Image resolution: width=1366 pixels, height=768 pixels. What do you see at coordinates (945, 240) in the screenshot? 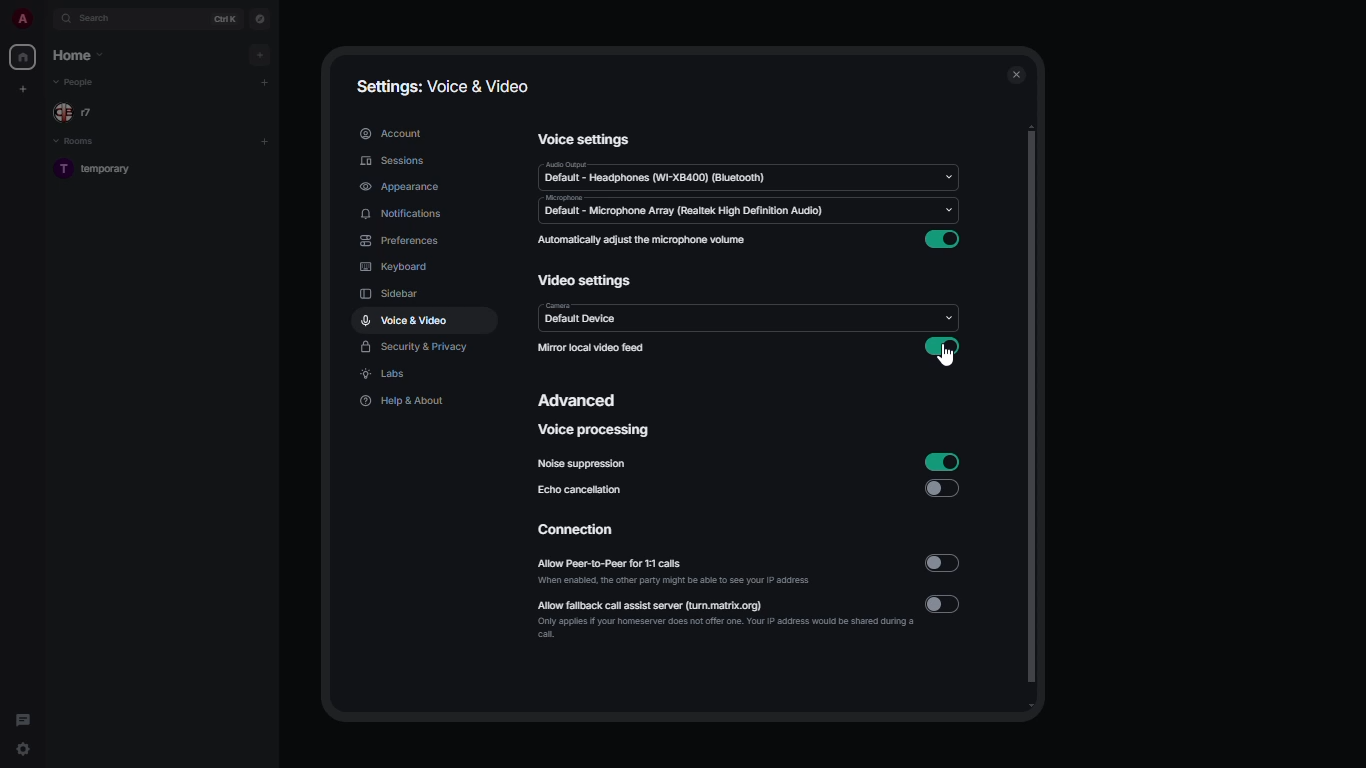
I see `enabled` at bounding box center [945, 240].